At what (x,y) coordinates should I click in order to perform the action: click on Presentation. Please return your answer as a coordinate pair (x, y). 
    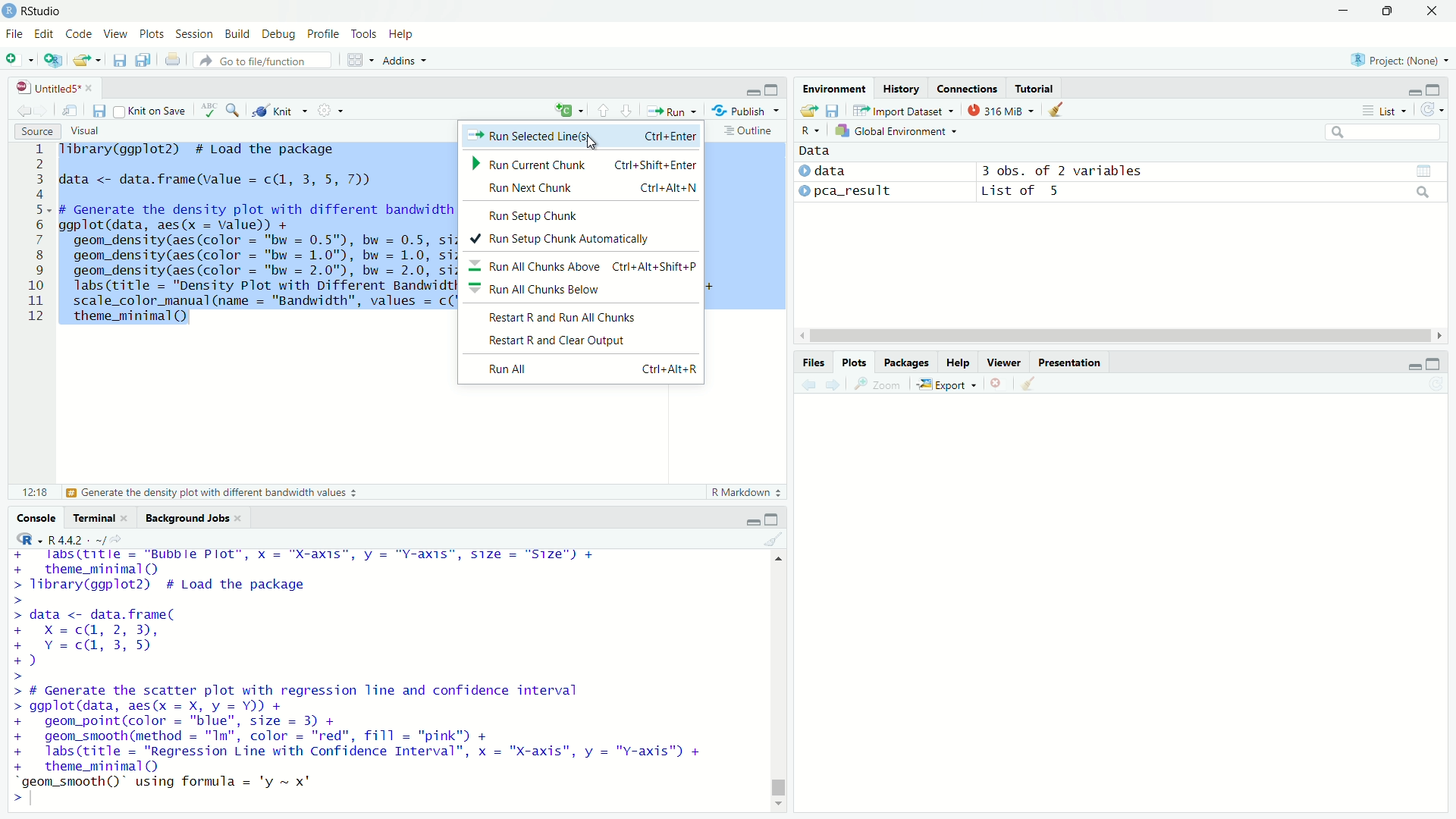
    Looking at the image, I should click on (1069, 362).